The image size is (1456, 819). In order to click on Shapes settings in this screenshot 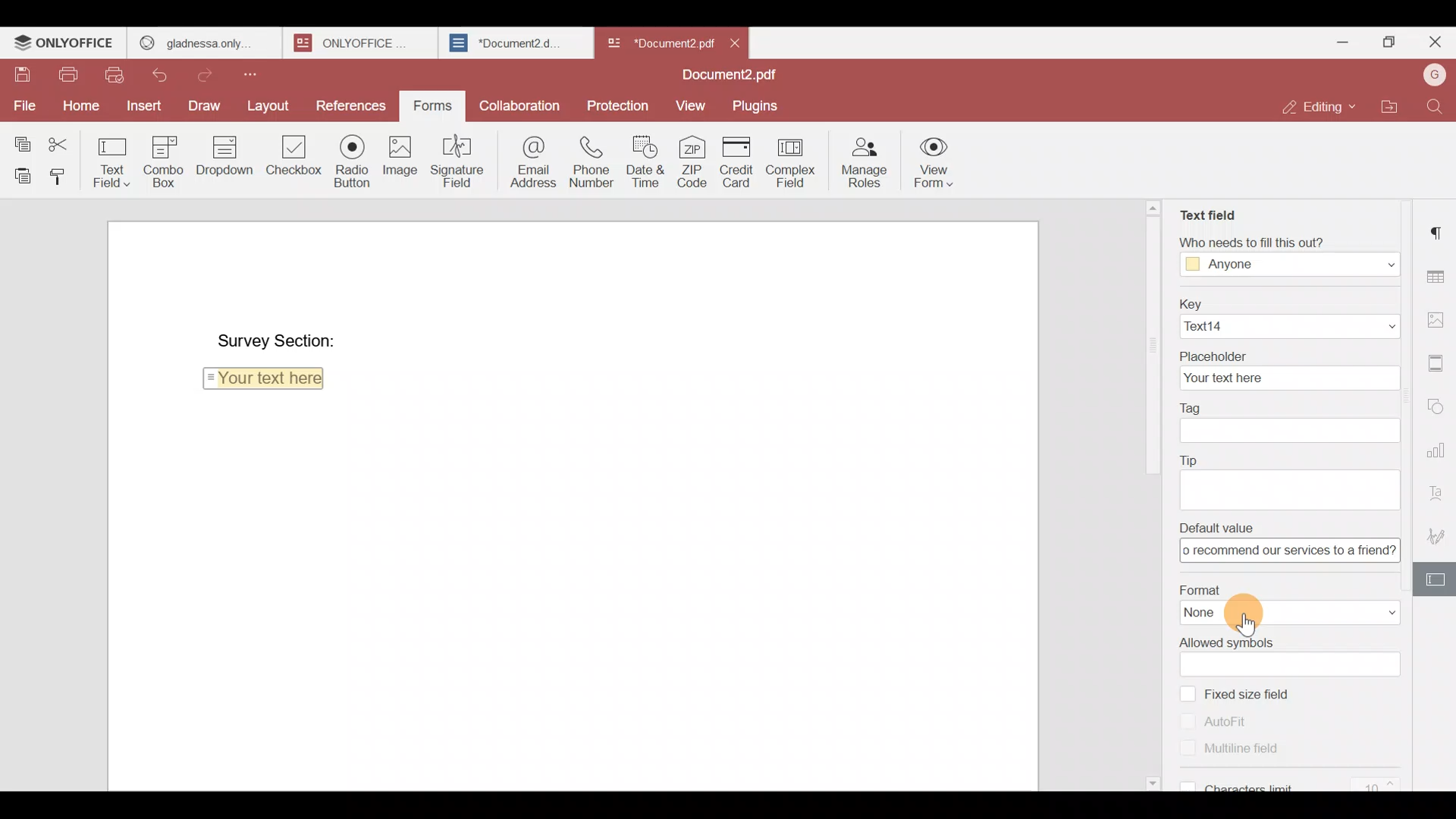, I will do `click(1439, 406)`.